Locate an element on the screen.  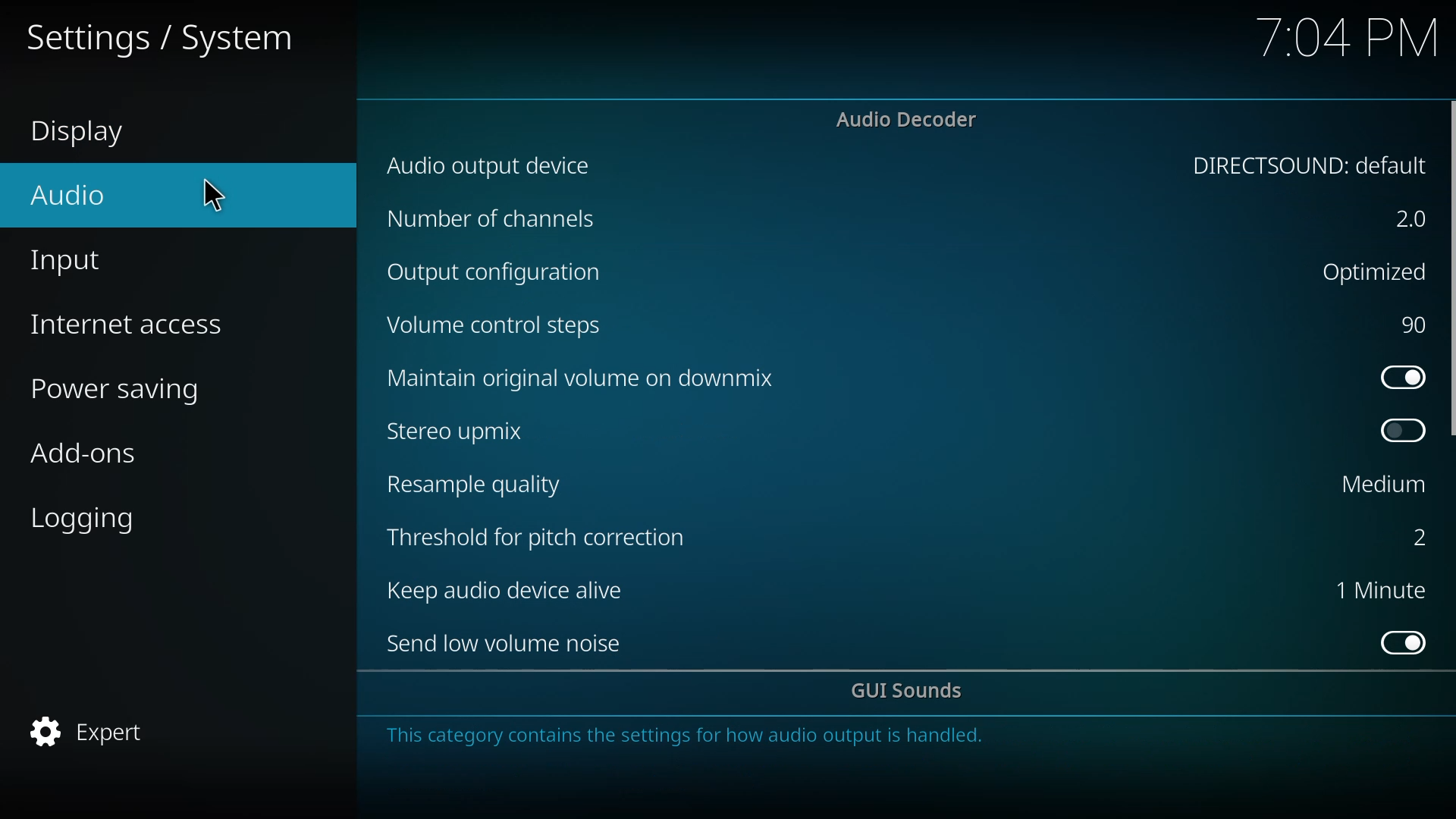
enabled is located at coordinates (1402, 377).